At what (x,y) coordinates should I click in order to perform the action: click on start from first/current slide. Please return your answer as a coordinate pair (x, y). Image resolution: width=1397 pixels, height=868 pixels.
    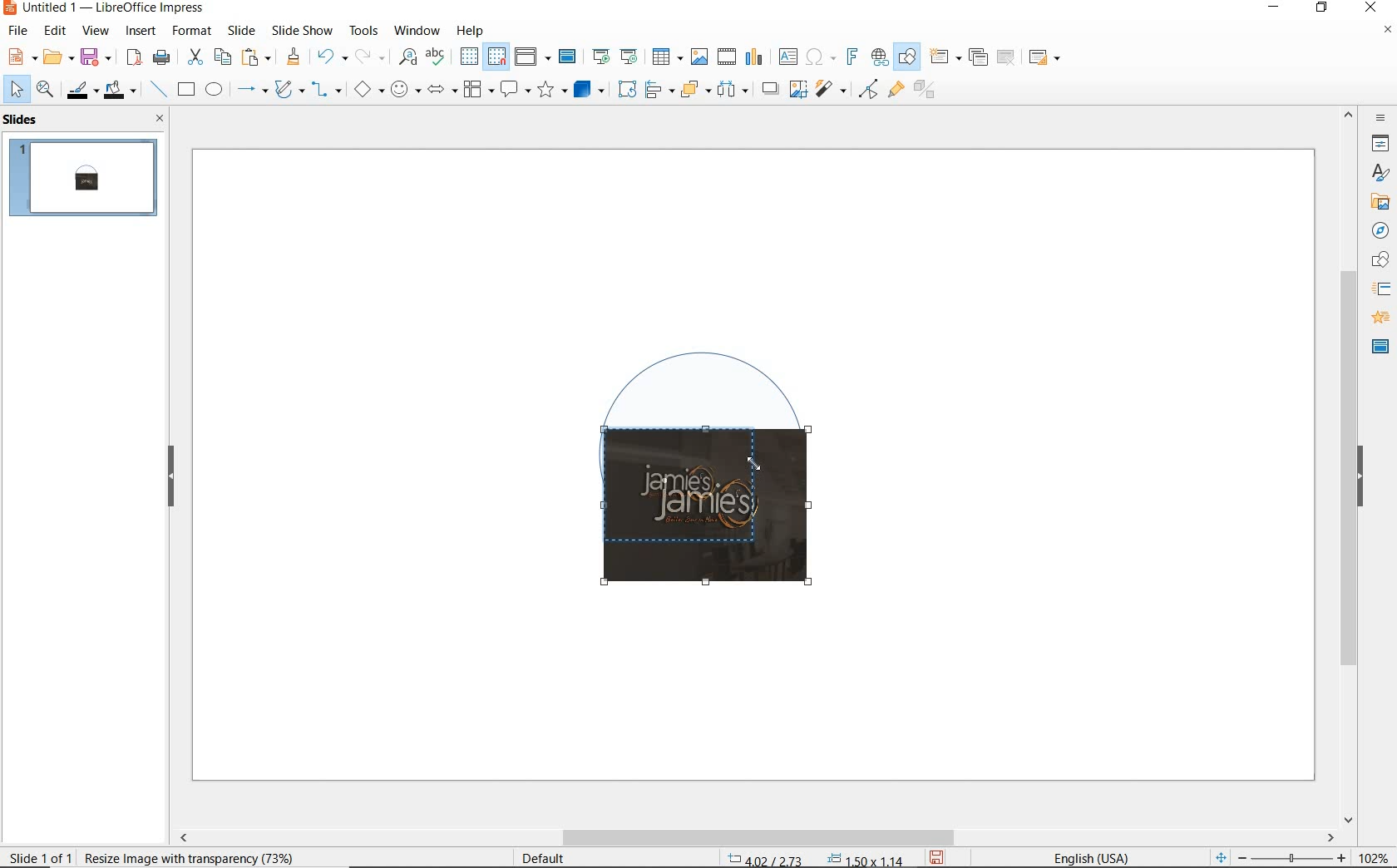
    Looking at the image, I should click on (615, 55).